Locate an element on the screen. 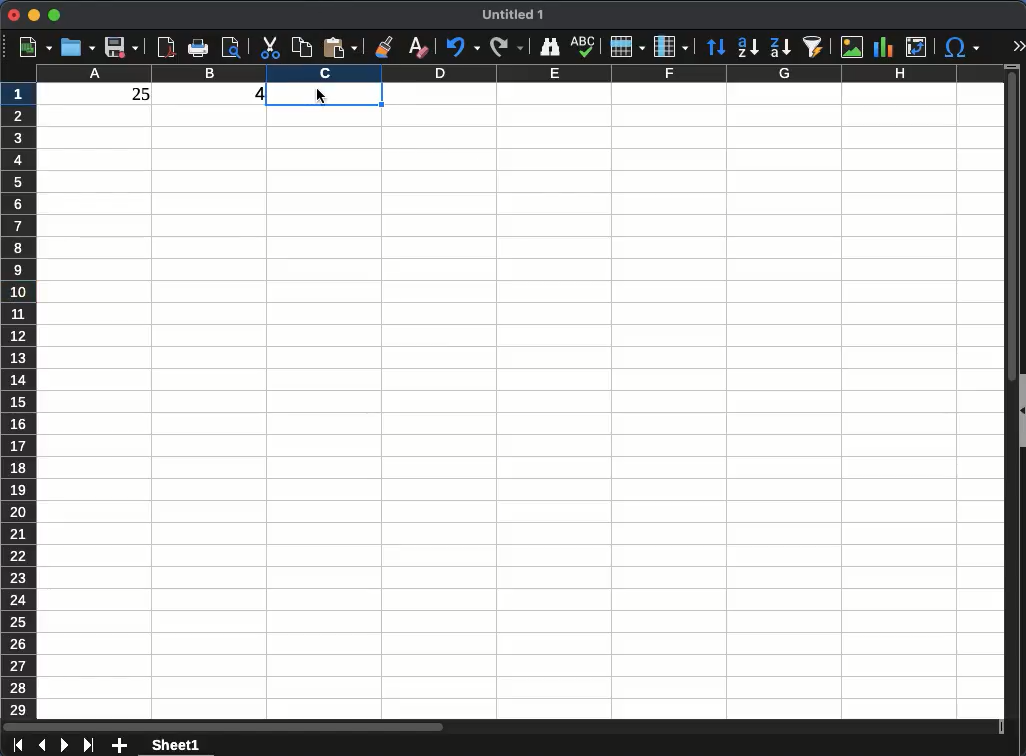  clear formatting is located at coordinates (420, 47).